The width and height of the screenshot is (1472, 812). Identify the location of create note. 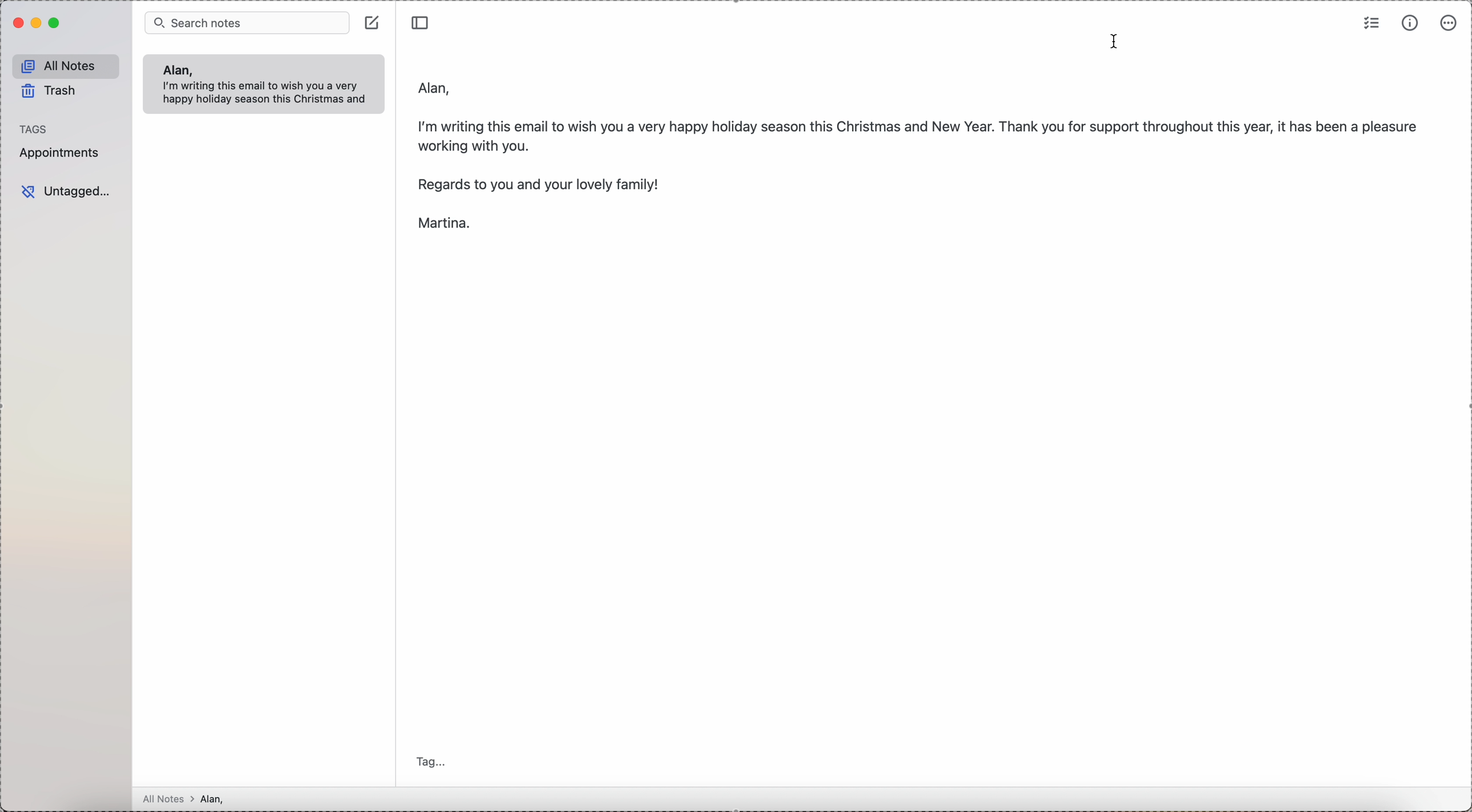
(374, 22).